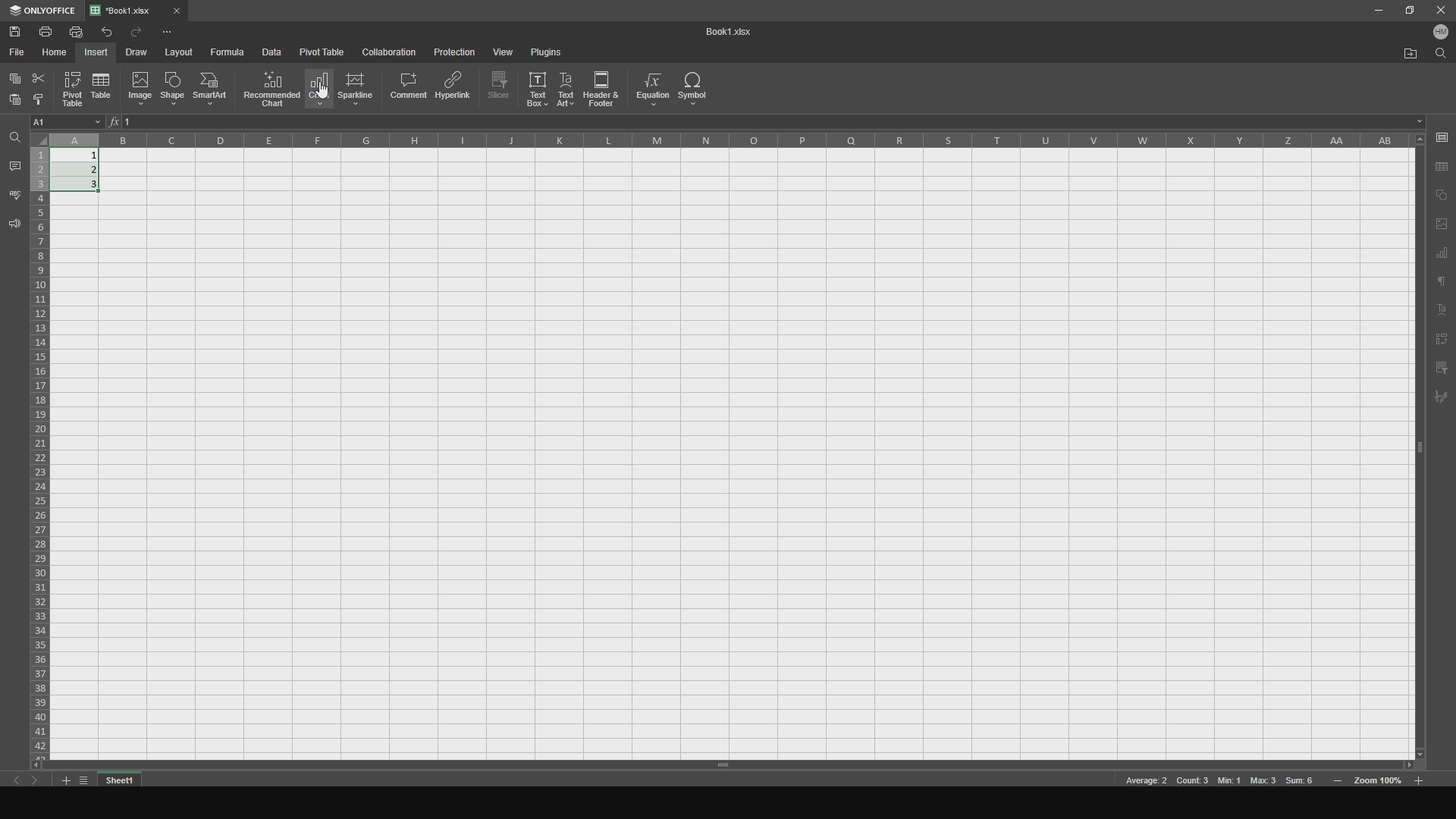  I want to click on insert, so click(94, 52).